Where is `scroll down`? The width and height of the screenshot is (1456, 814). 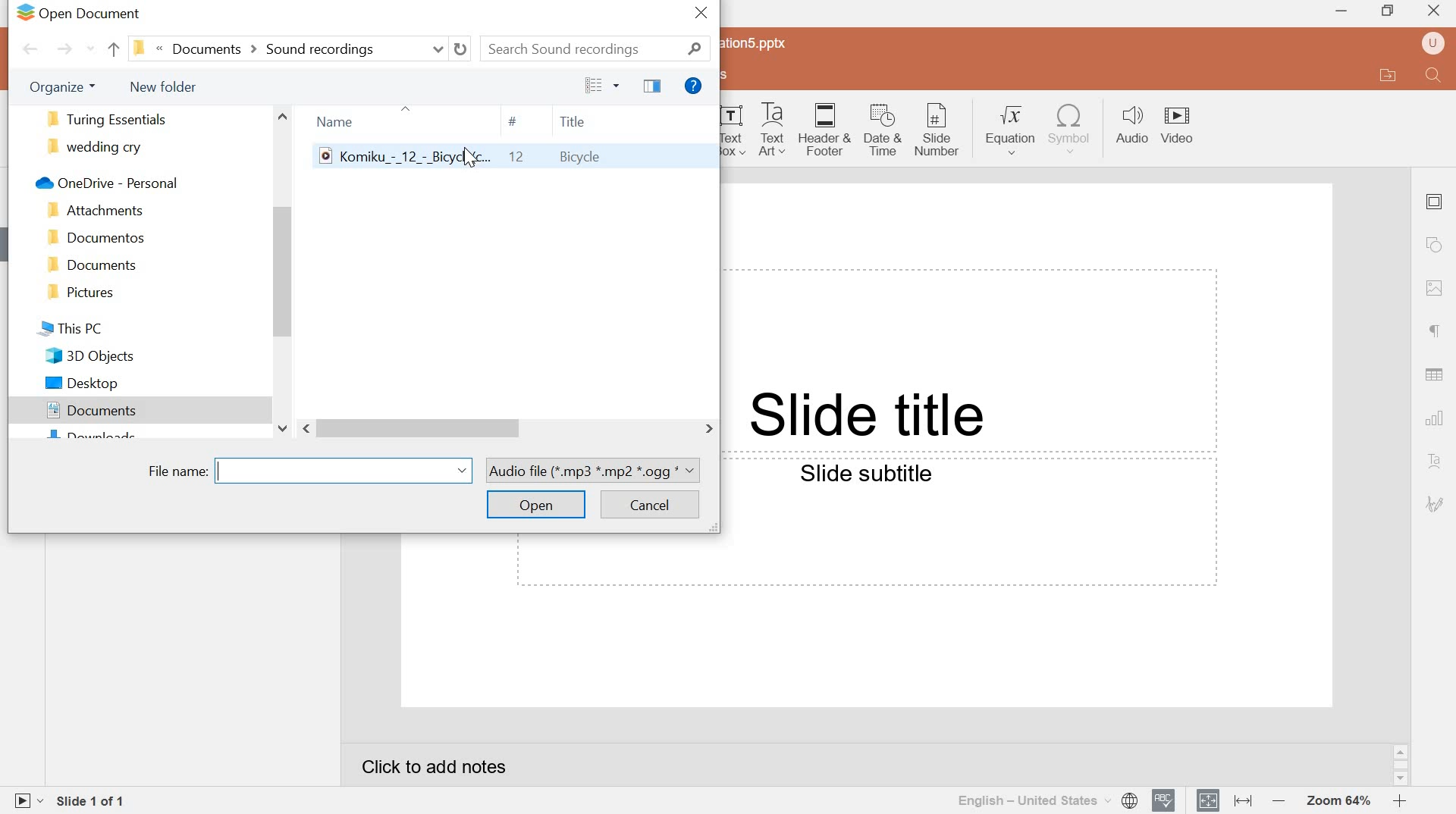
scroll down is located at coordinates (1401, 780).